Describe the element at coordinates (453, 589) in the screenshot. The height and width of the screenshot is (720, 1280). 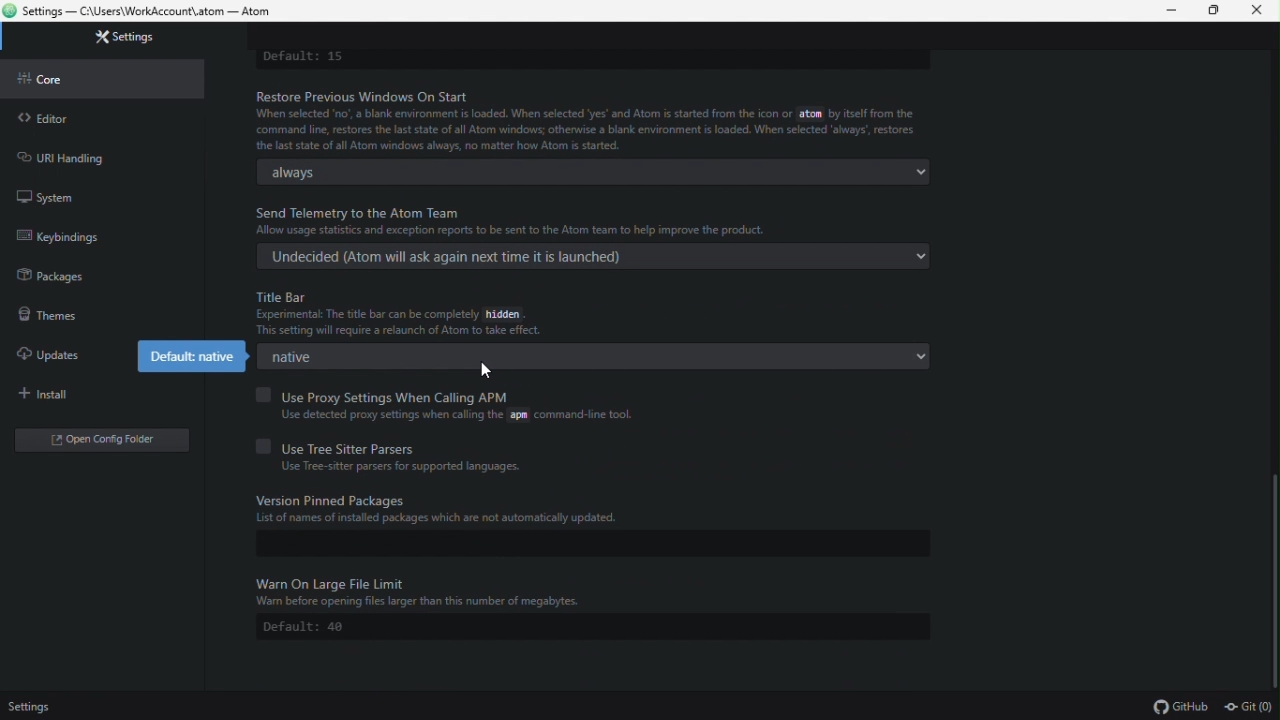
I see `Warn On Large File Limit Warn before opening the files larger than this number of megabytes.` at that location.